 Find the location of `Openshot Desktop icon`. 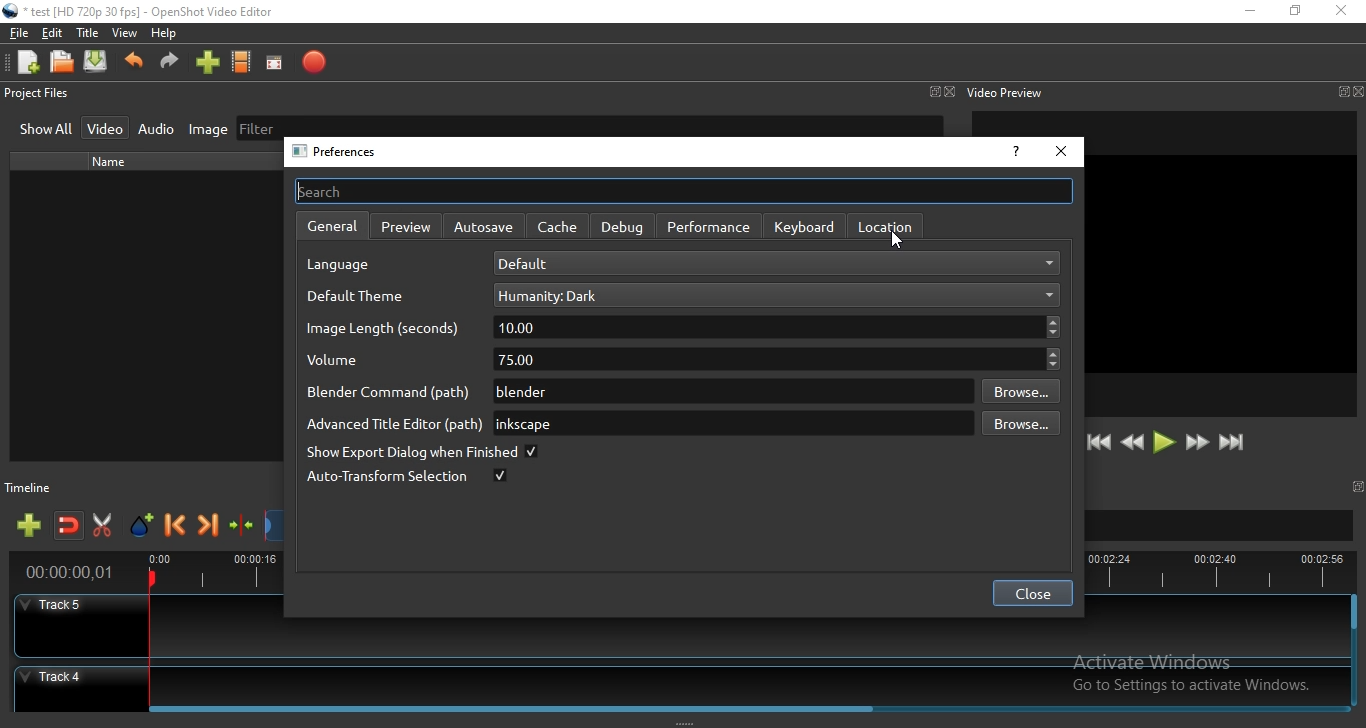

Openshot Desktop icon is located at coordinates (11, 11).